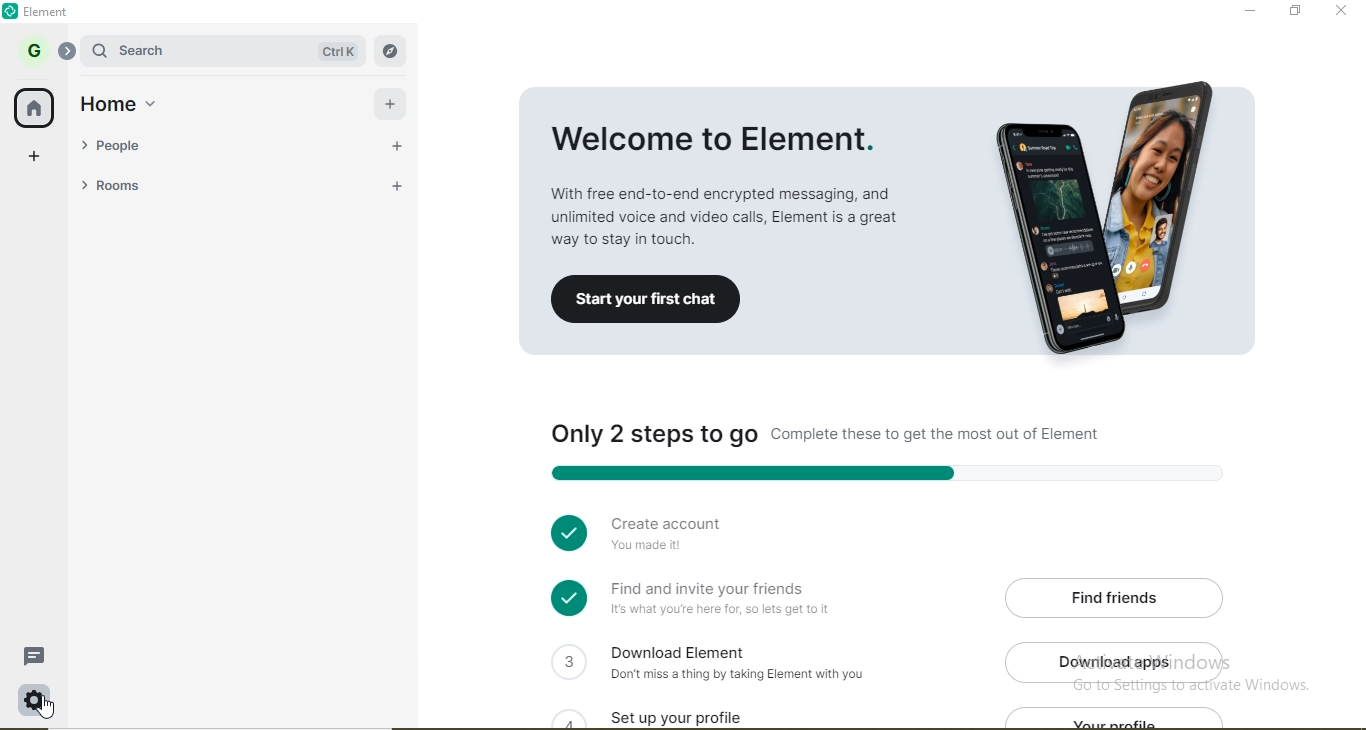 This screenshot has height=730, width=1366. I want to click on Only 2 stepts to go, so click(876, 436).